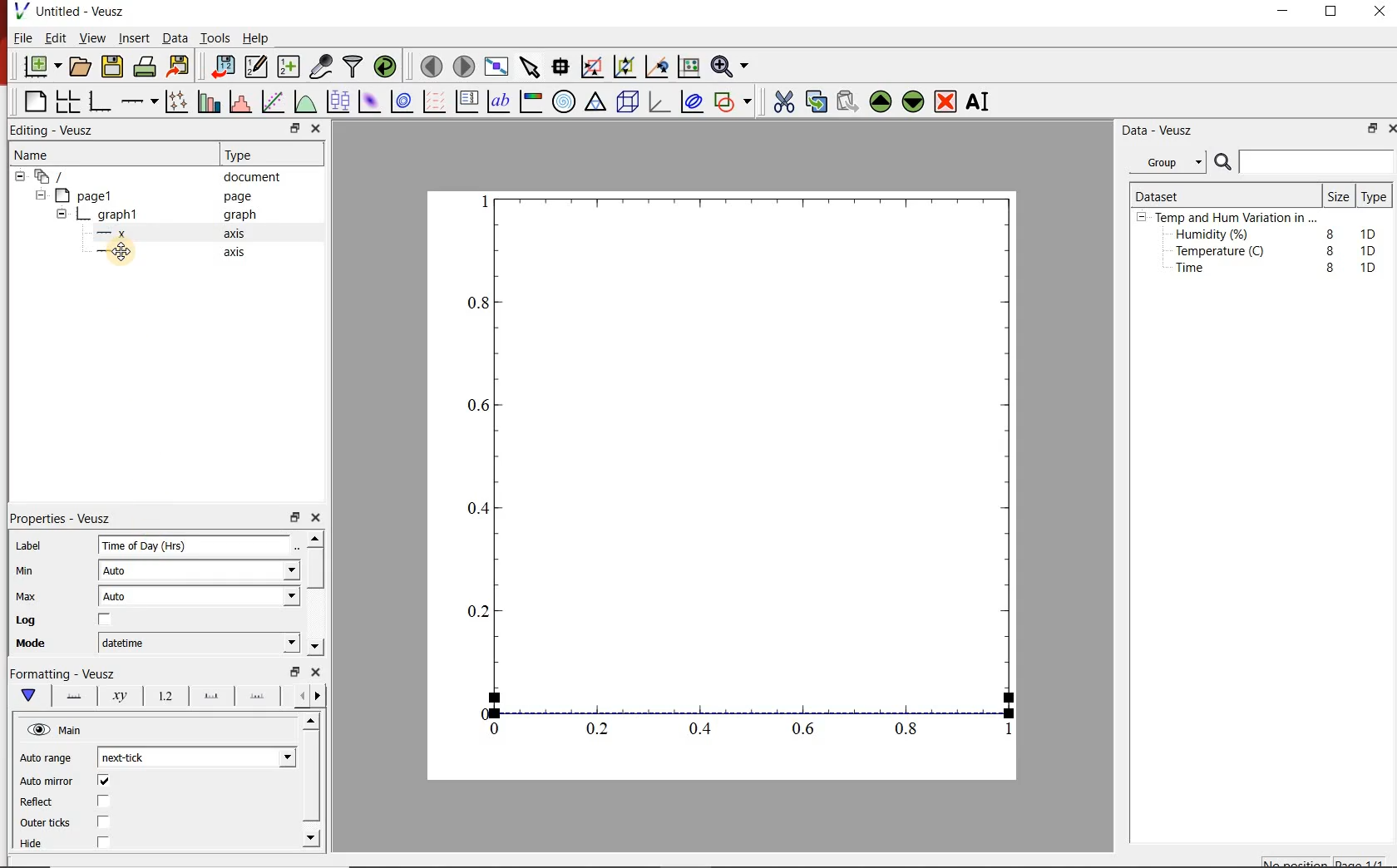  What do you see at coordinates (239, 235) in the screenshot?
I see `axis` at bounding box center [239, 235].